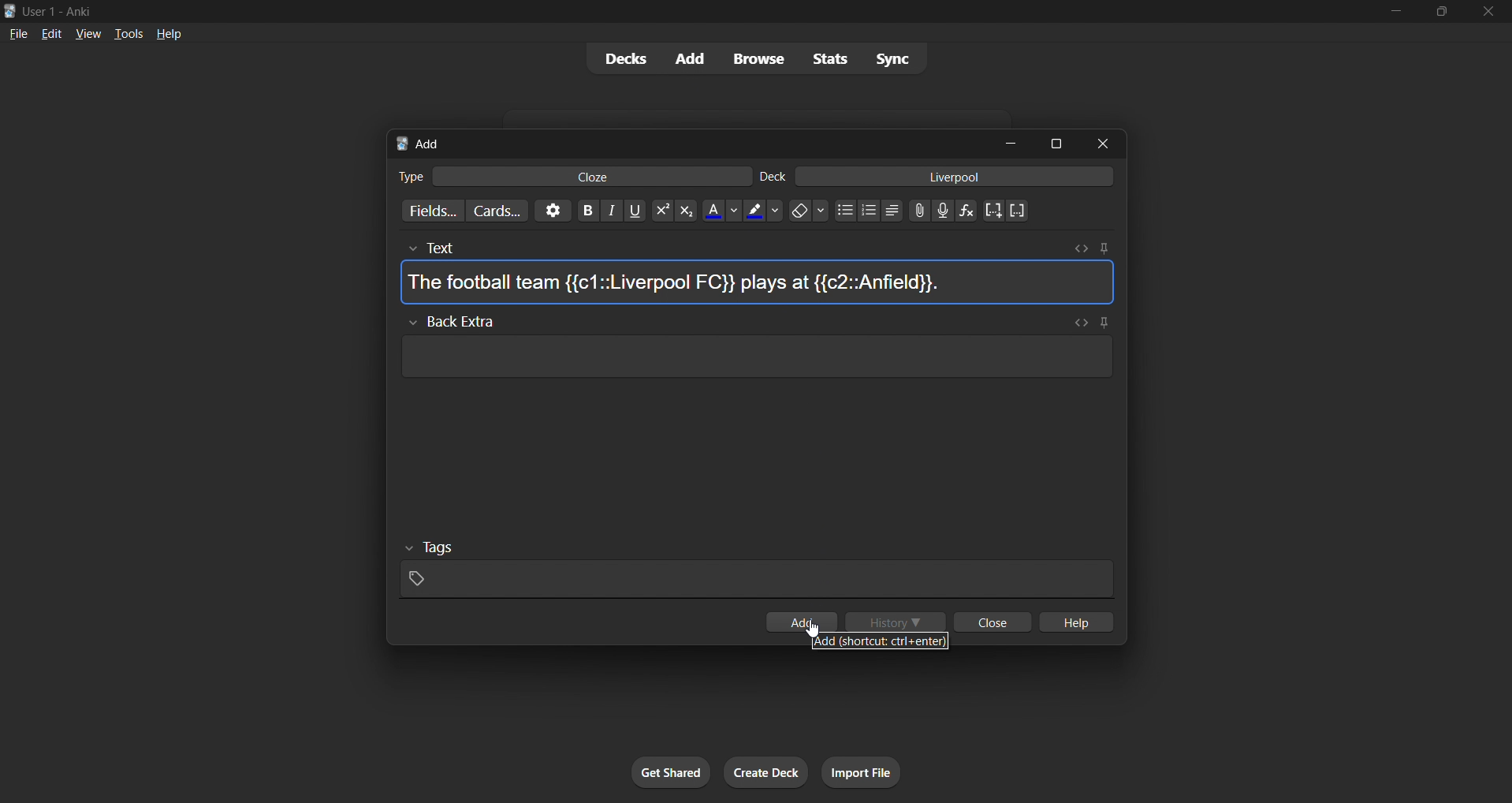  Describe the element at coordinates (1051, 143) in the screenshot. I see `maximize` at that location.